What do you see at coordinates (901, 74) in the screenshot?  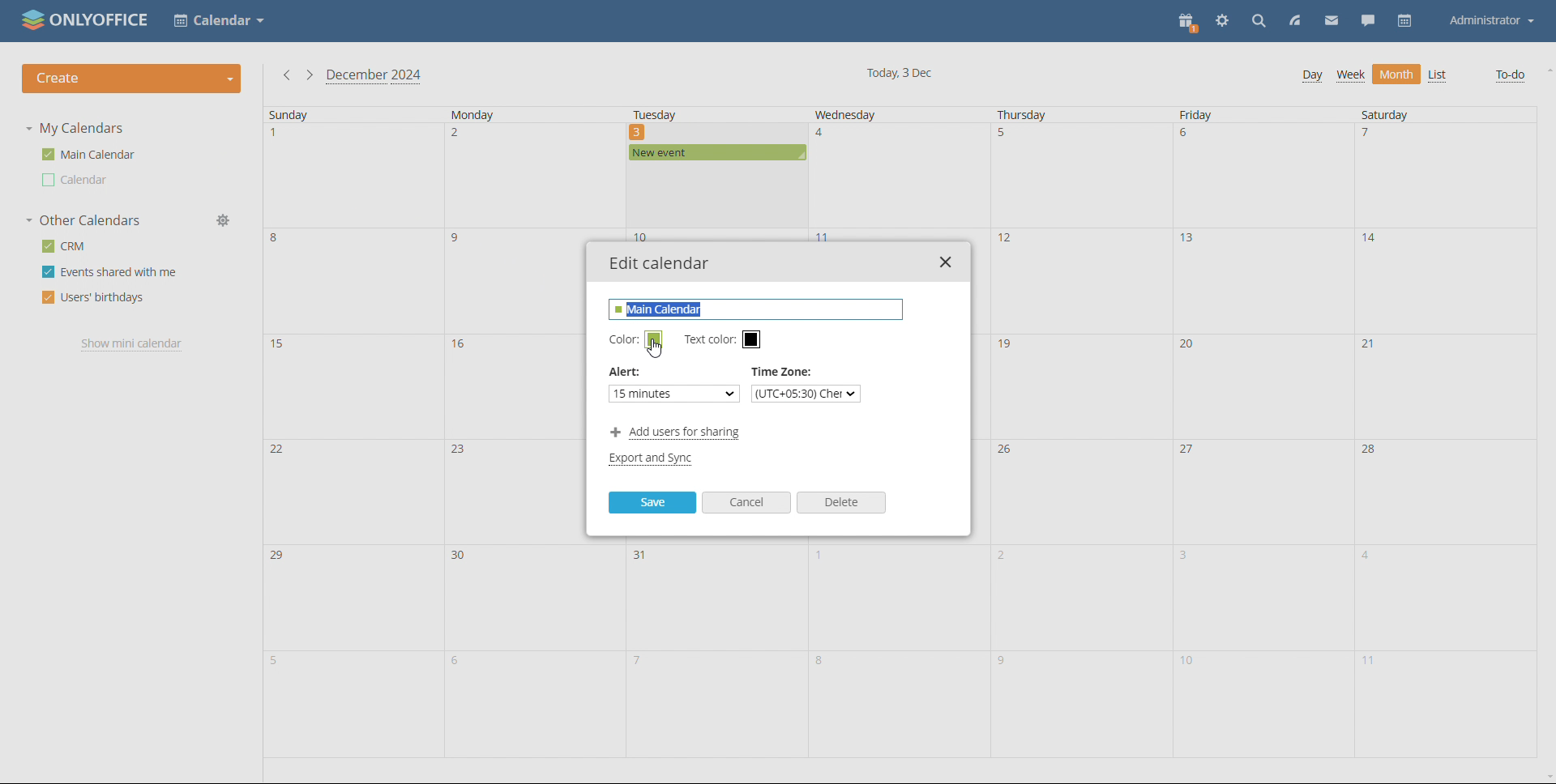 I see `current date` at bounding box center [901, 74].